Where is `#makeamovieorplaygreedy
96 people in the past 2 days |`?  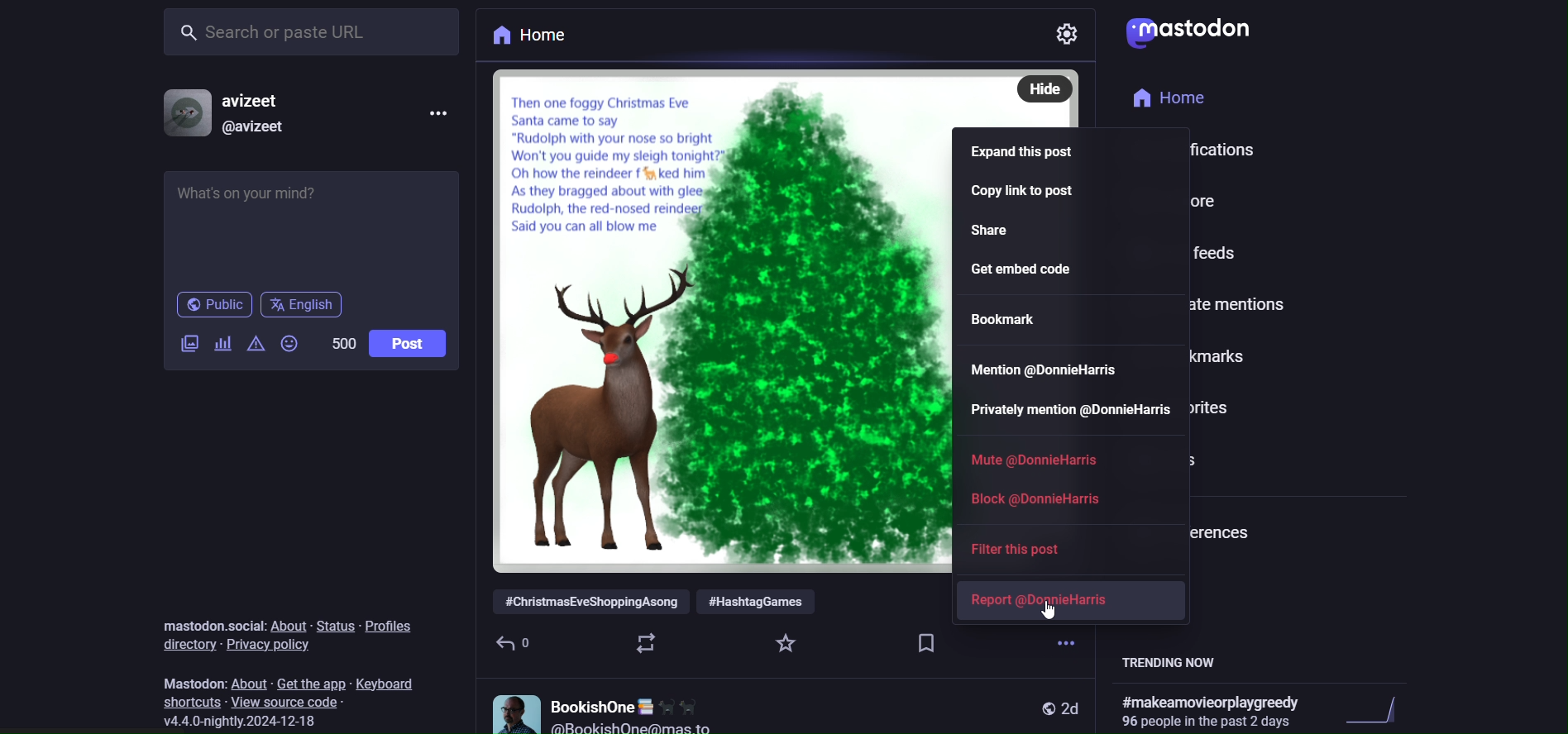 #makeamovieorplaygreedy
96 people in the past 2 days | is located at coordinates (1261, 712).